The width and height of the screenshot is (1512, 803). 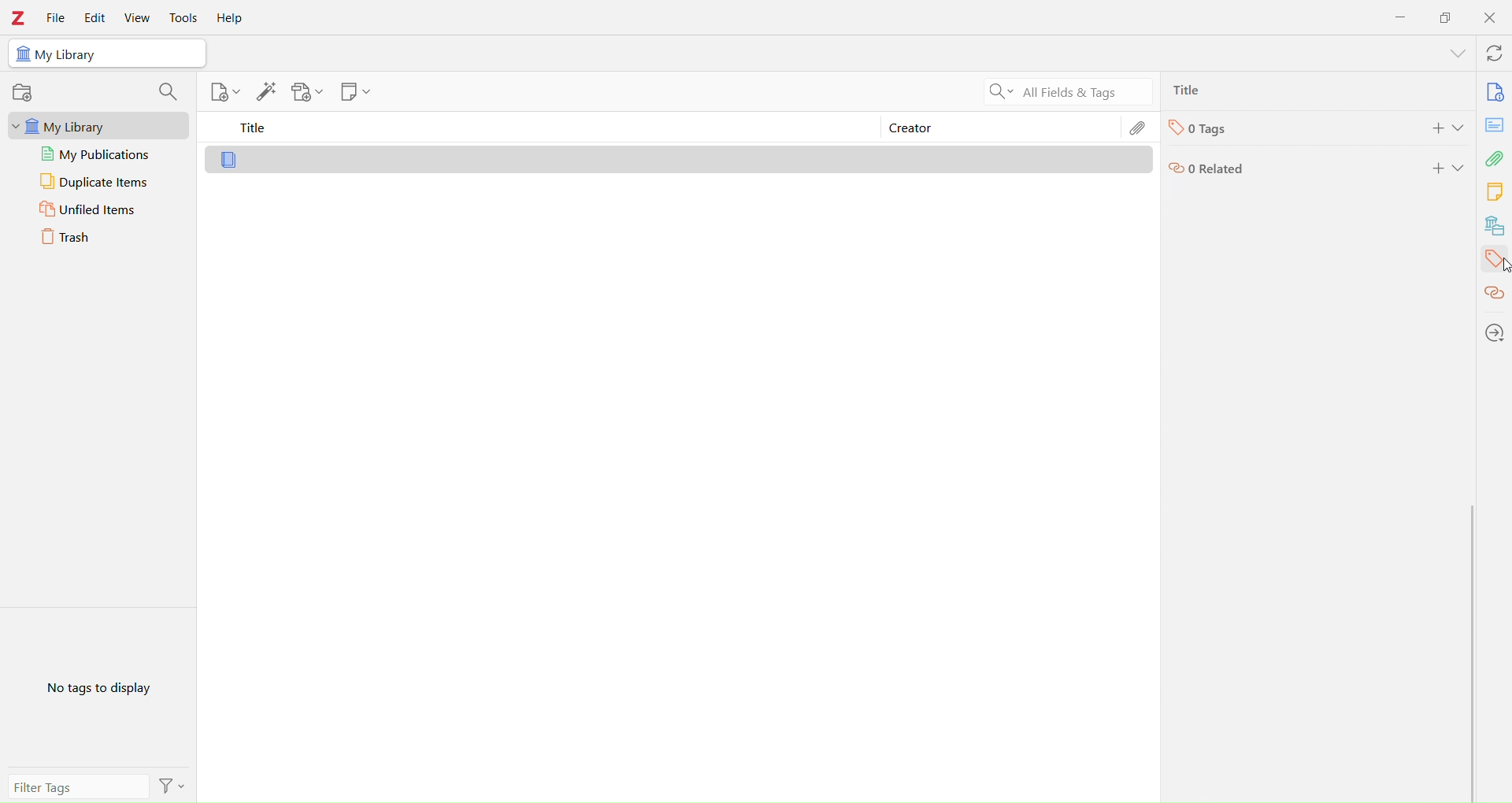 I want to click on Library tools bar, so click(x=1494, y=206).